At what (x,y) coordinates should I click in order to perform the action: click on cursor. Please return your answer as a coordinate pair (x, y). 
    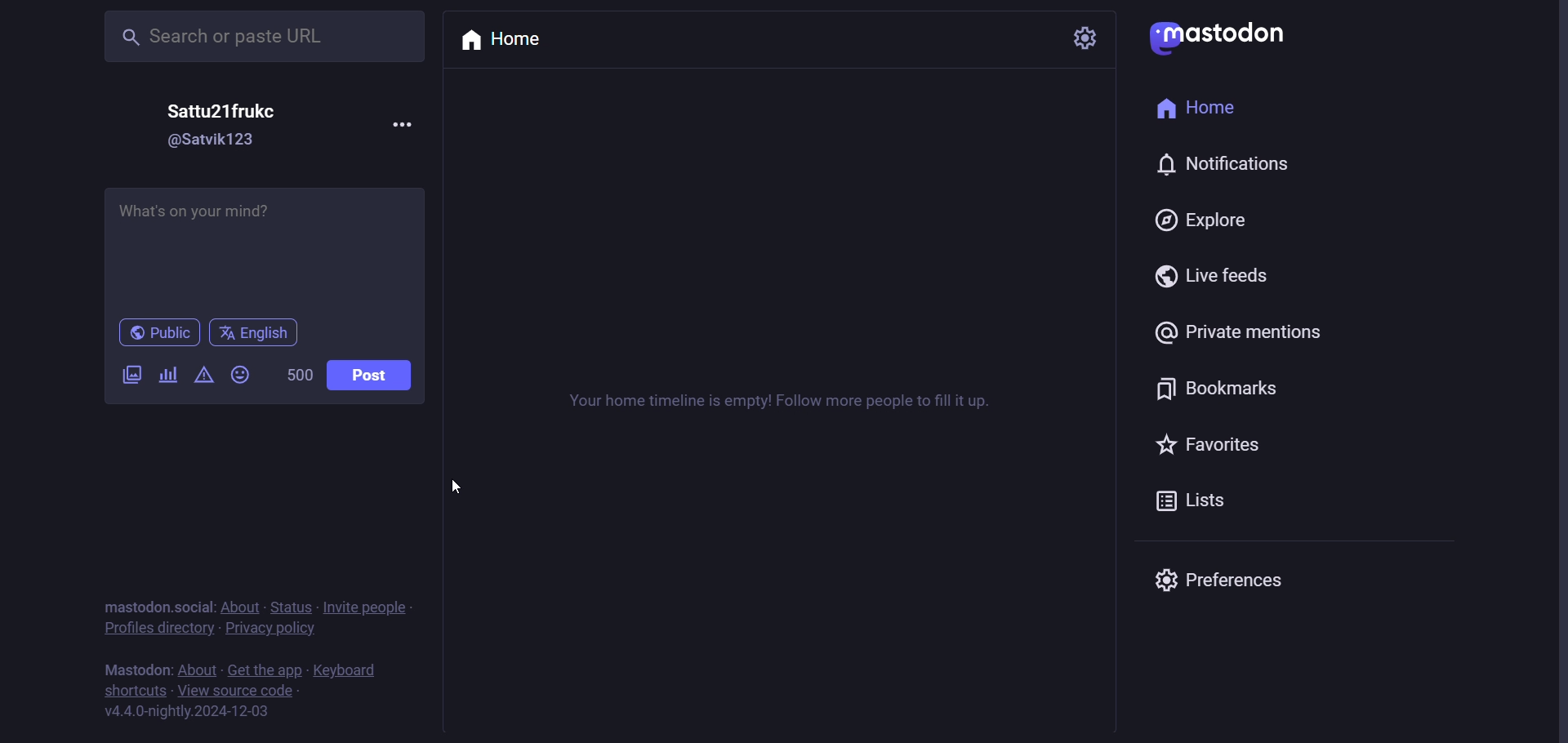
    Looking at the image, I should click on (464, 487).